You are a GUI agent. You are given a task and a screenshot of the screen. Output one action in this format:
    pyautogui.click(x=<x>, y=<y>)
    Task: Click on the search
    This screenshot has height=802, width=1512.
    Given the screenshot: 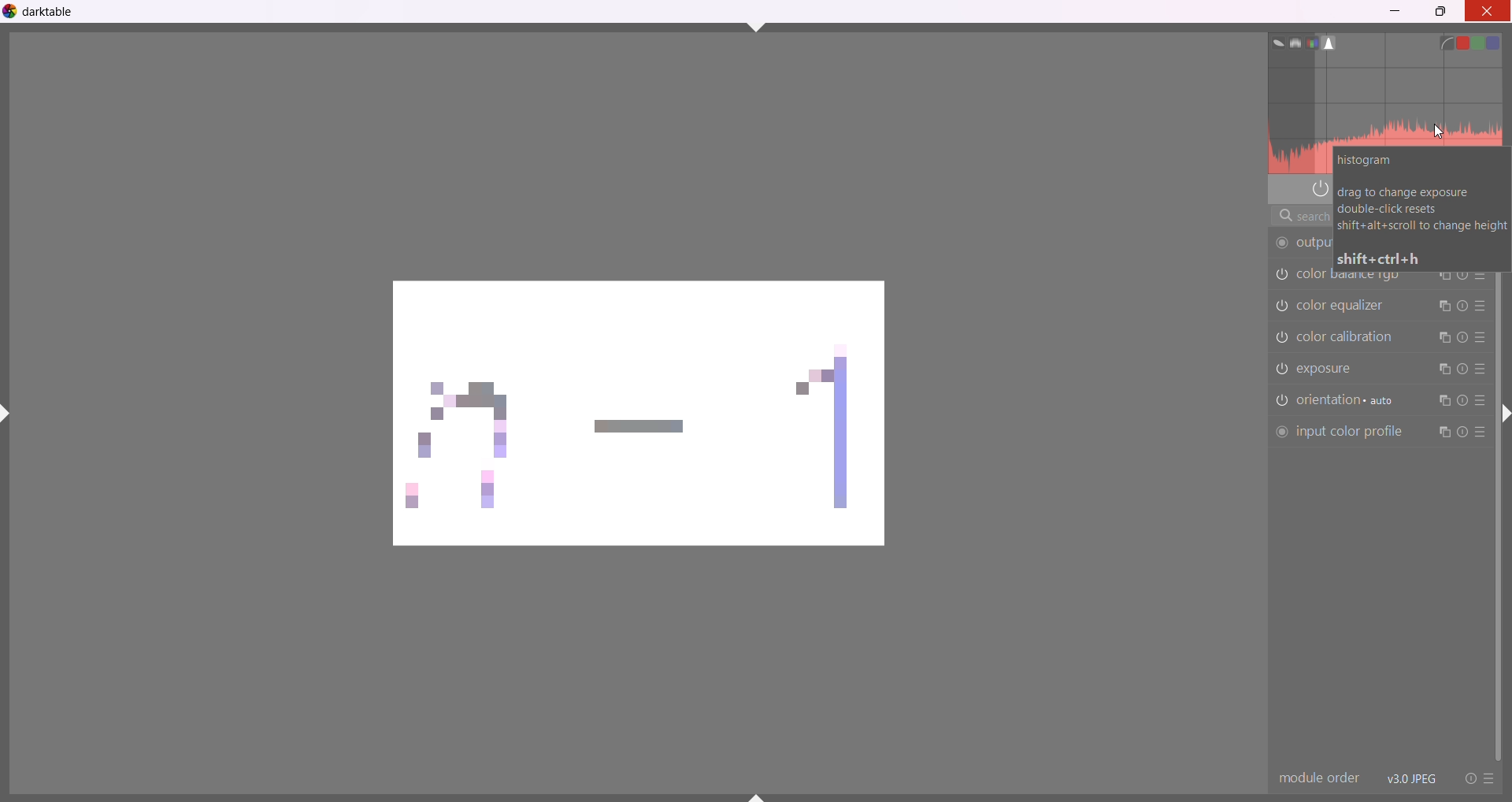 What is the action you would take?
    pyautogui.click(x=1291, y=217)
    